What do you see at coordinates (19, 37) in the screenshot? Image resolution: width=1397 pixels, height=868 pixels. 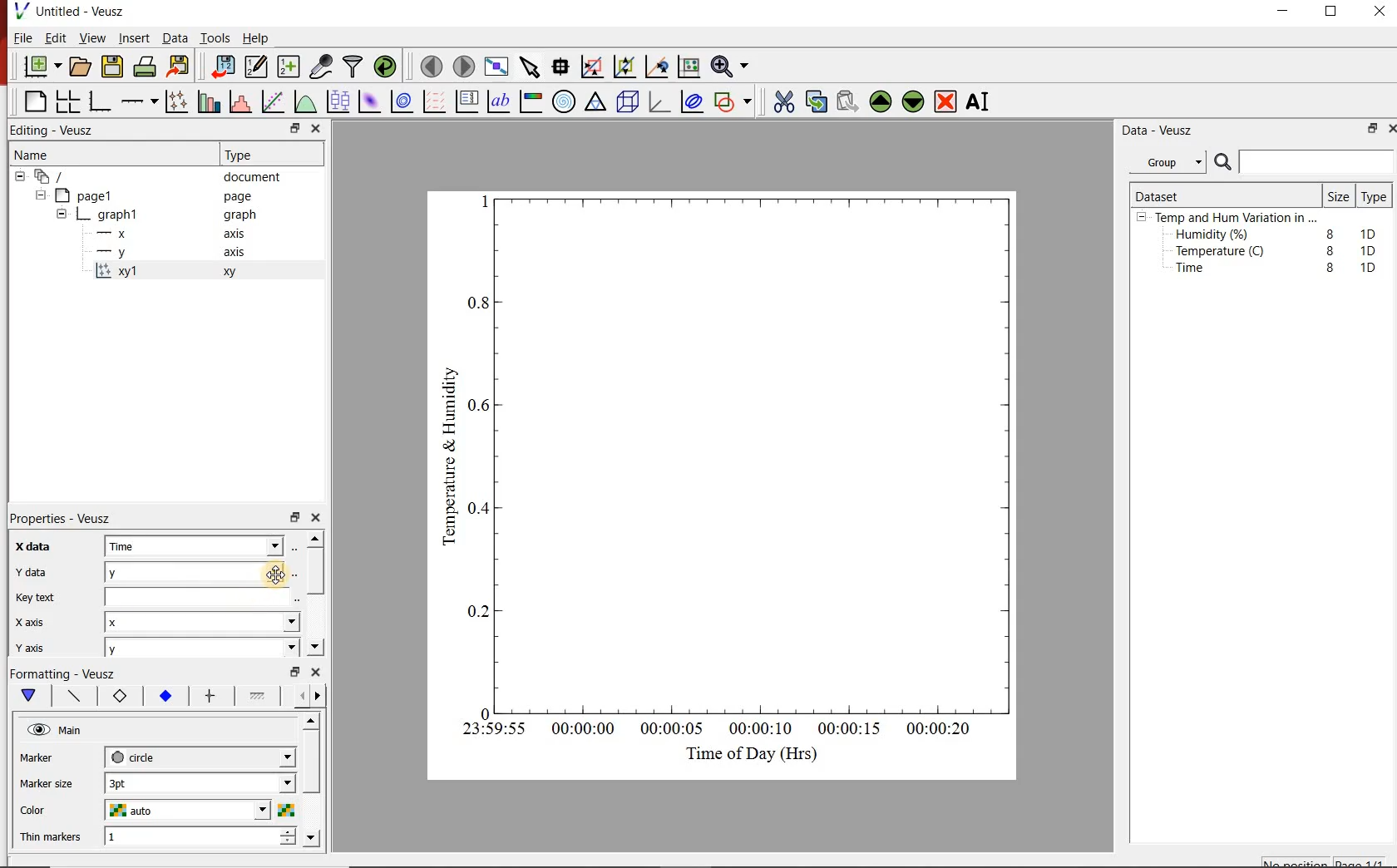 I see `File` at bounding box center [19, 37].